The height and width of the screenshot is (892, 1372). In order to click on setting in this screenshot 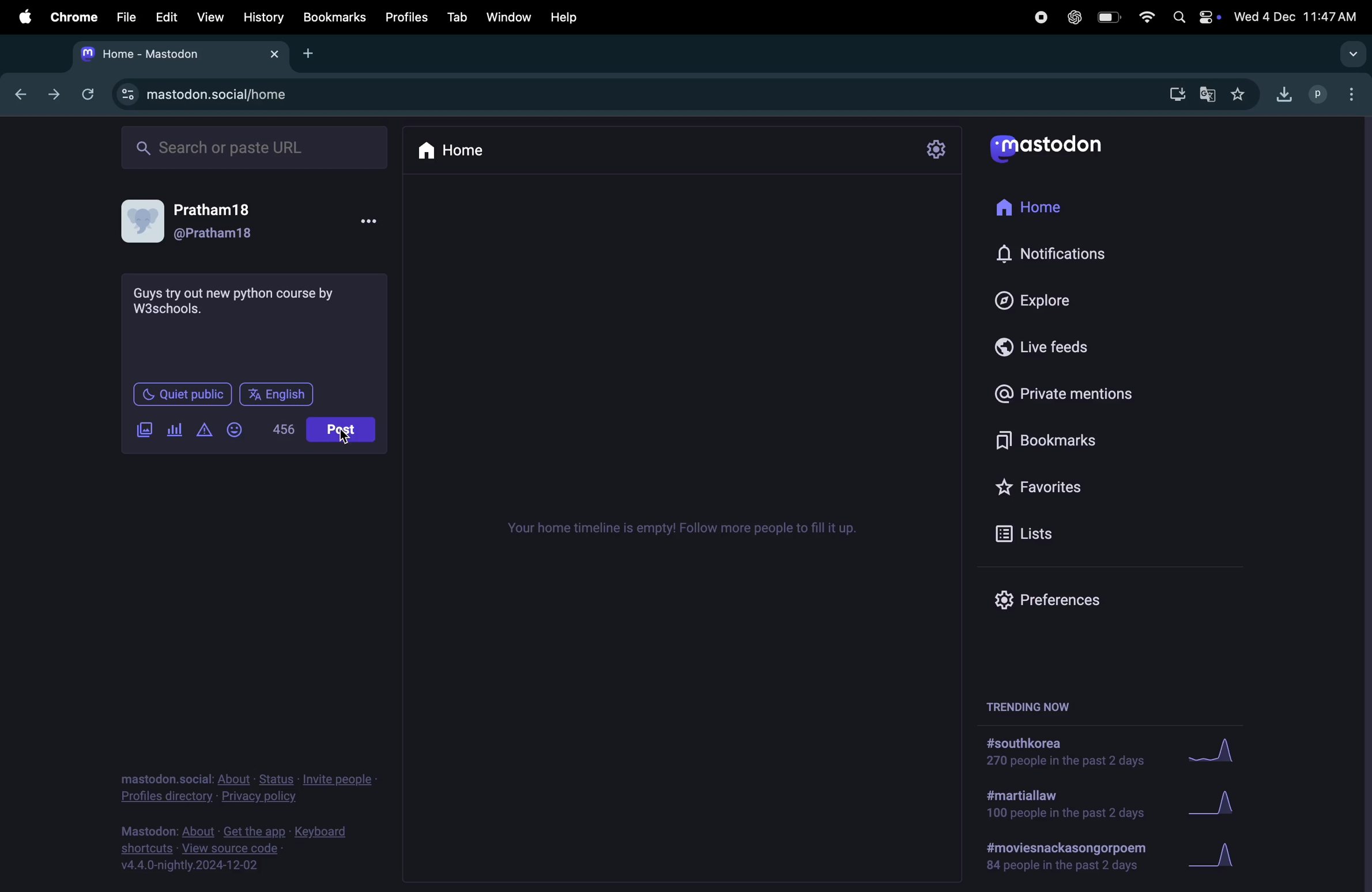, I will do `click(937, 152)`.